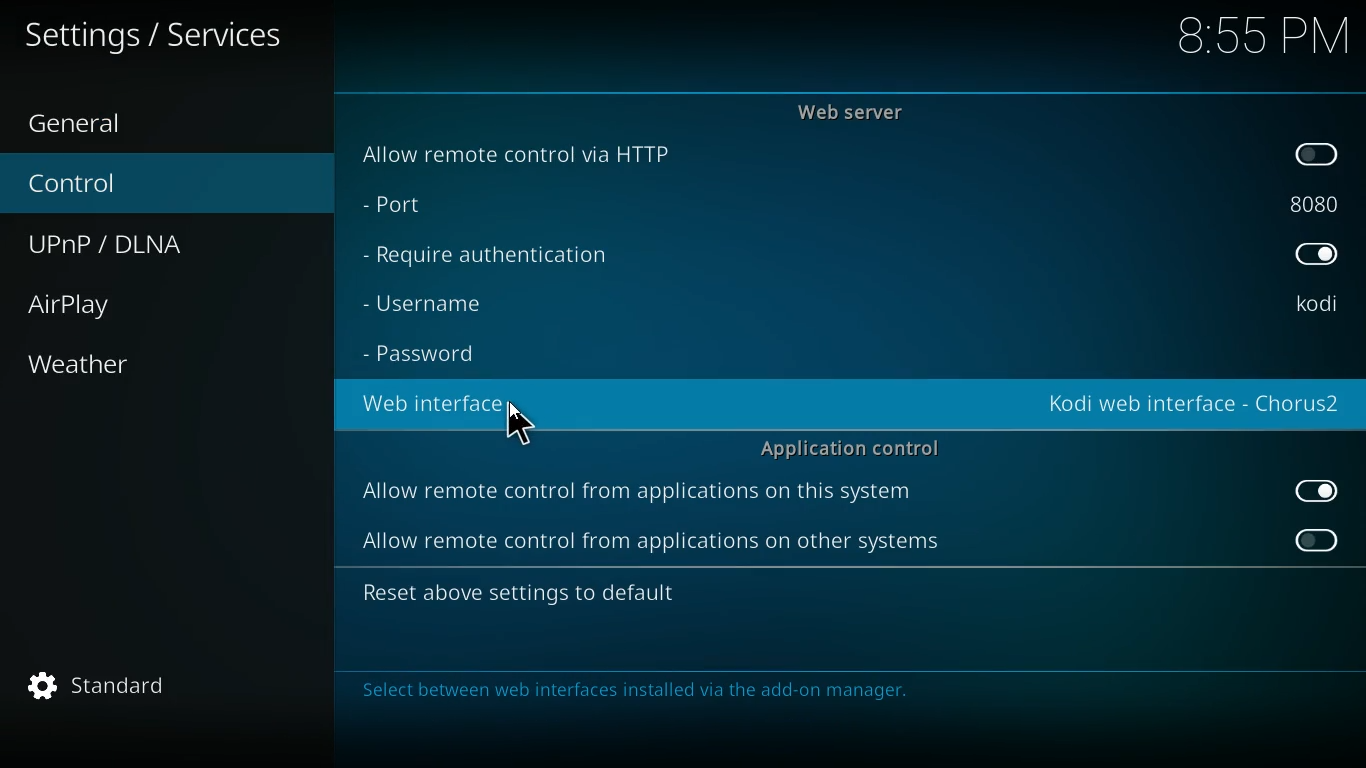 The width and height of the screenshot is (1366, 768). What do you see at coordinates (1315, 305) in the screenshot?
I see `username` at bounding box center [1315, 305].